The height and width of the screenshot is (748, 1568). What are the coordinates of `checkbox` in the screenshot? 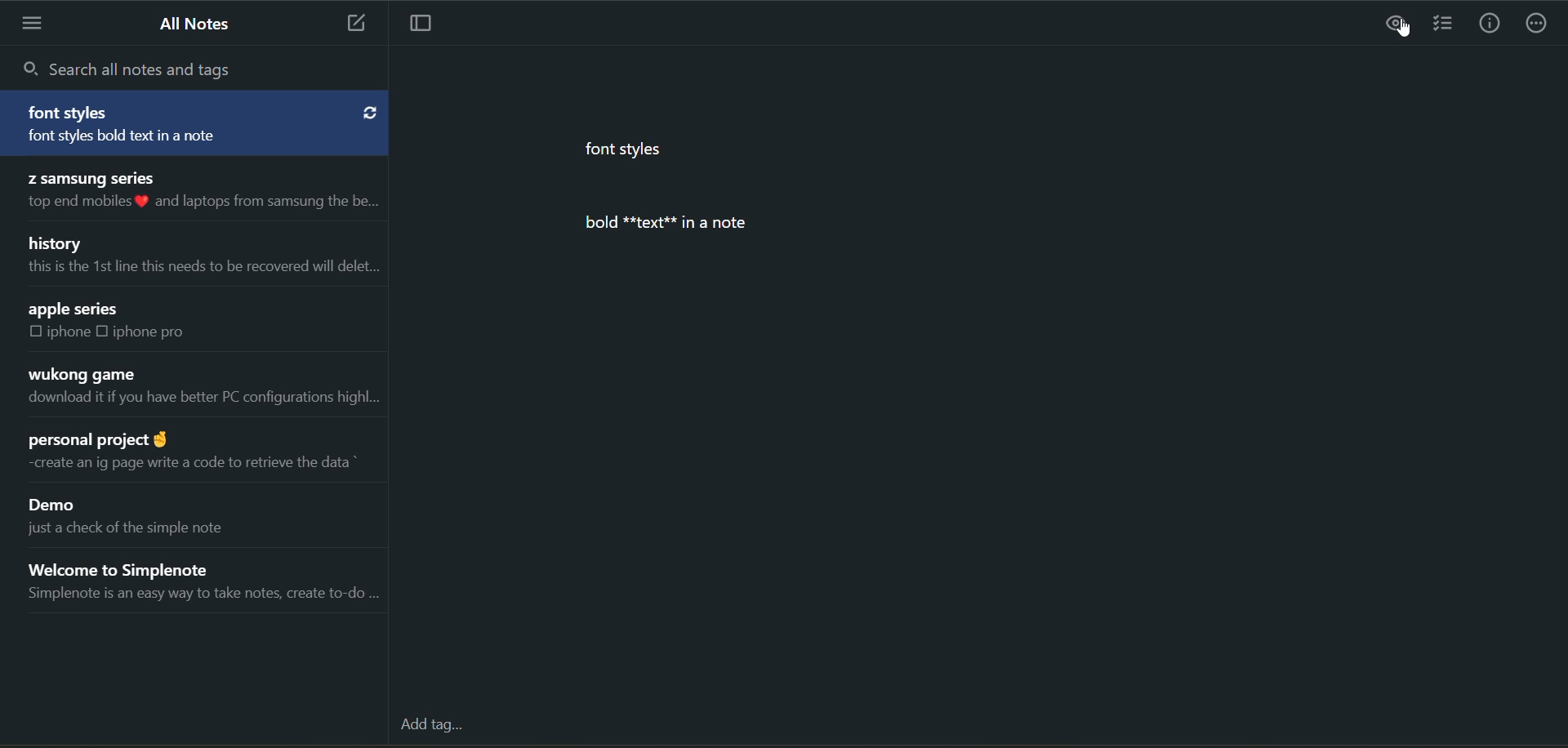 It's located at (36, 332).